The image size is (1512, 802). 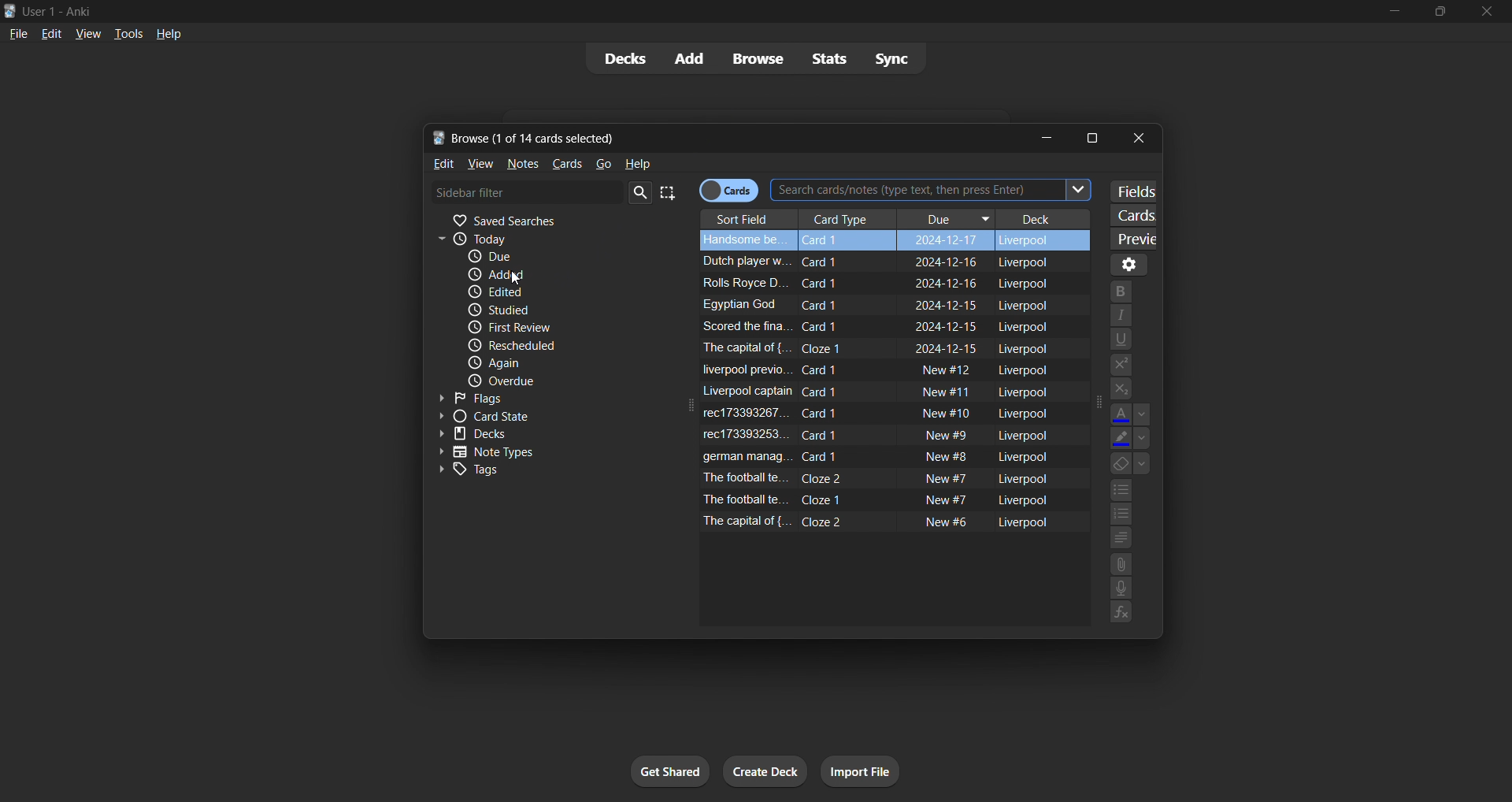 I want to click on select all, so click(x=669, y=190).